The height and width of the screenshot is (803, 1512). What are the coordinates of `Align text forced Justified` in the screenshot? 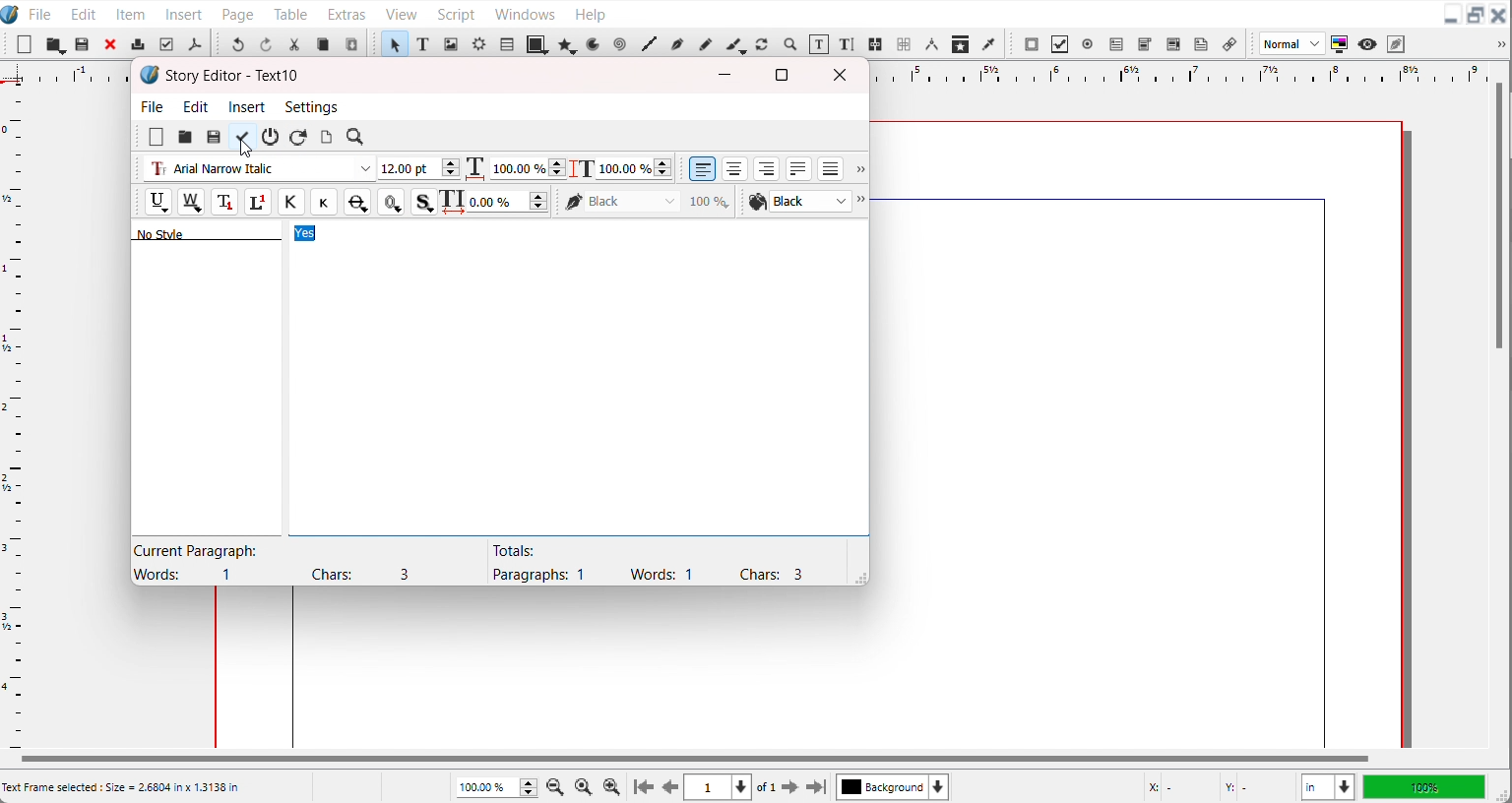 It's located at (831, 168).